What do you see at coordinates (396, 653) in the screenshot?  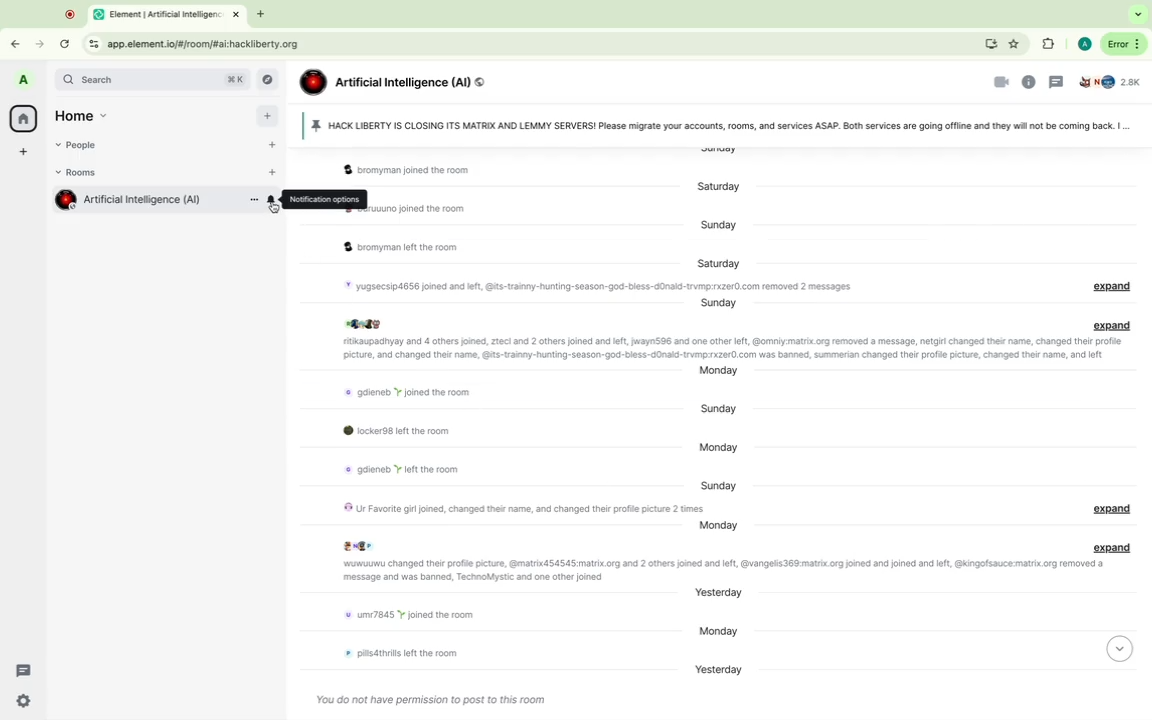 I see `Message` at bounding box center [396, 653].